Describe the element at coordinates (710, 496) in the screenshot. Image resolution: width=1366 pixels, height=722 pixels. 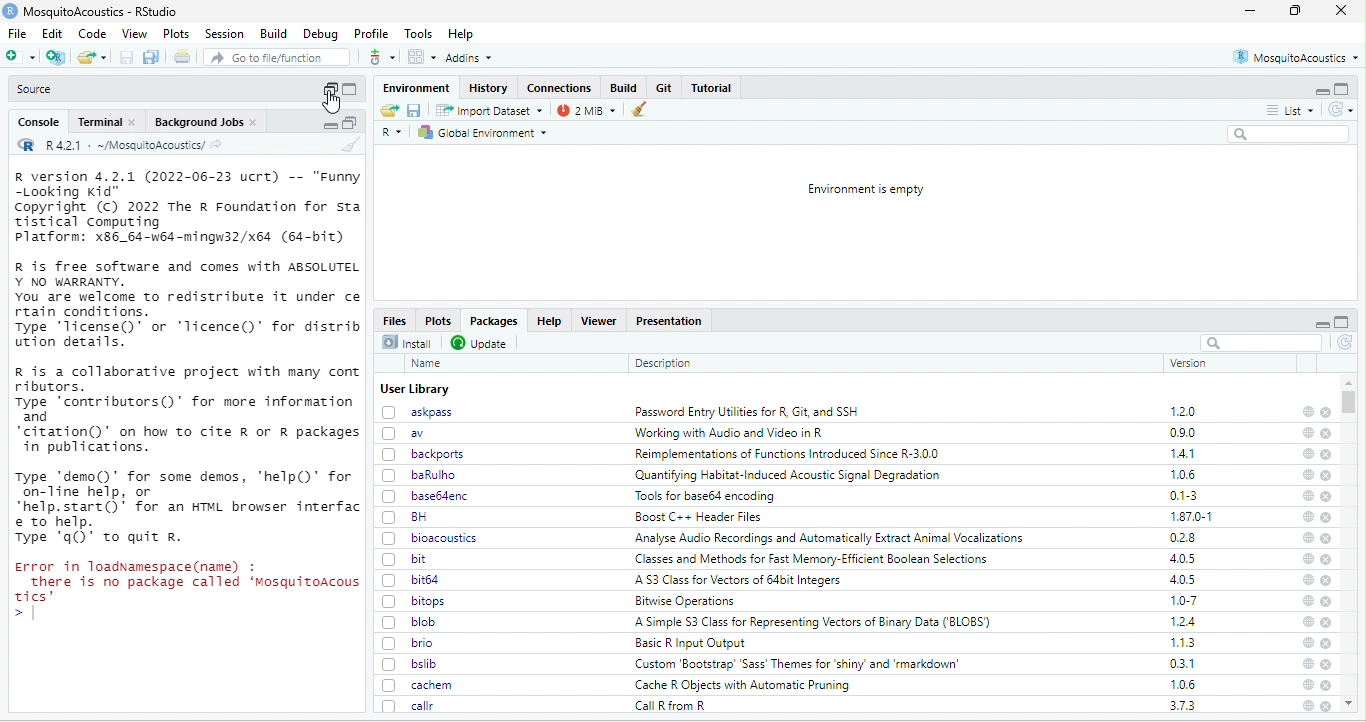
I see `Tools for base64 encoding` at that location.